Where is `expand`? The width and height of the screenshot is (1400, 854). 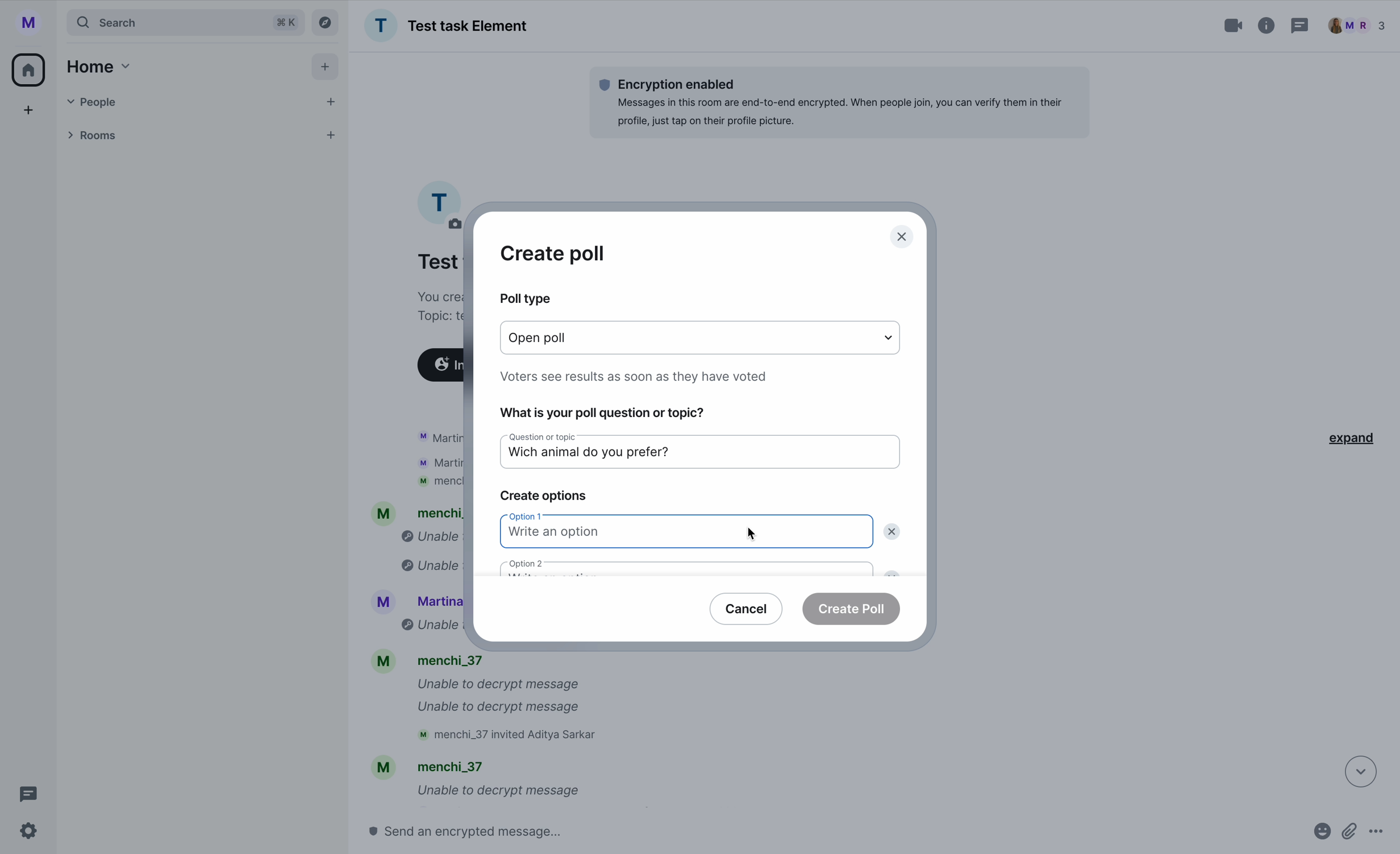
expand is located at coordinates (1349, 439).